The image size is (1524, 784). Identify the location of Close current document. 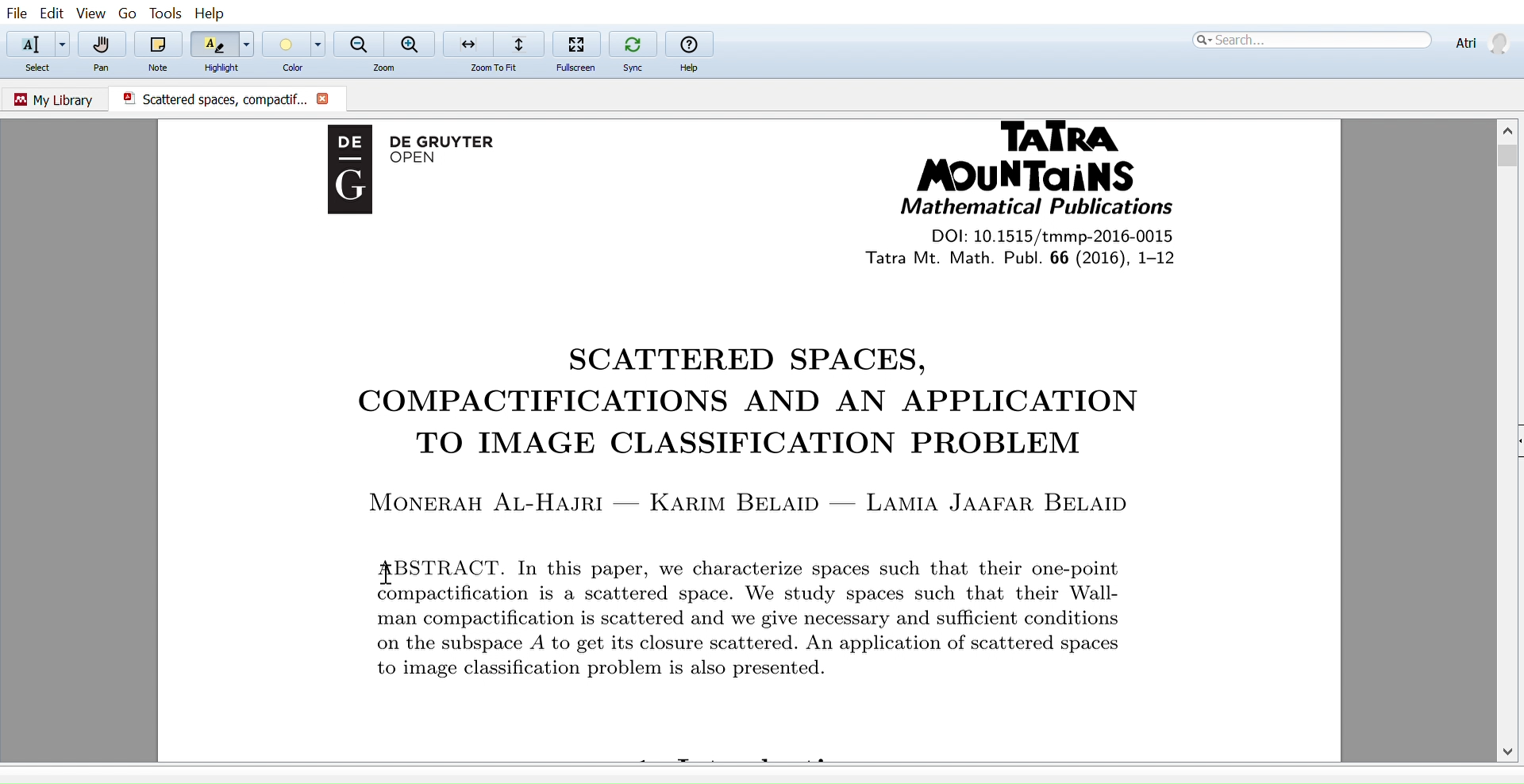
(324, 100).